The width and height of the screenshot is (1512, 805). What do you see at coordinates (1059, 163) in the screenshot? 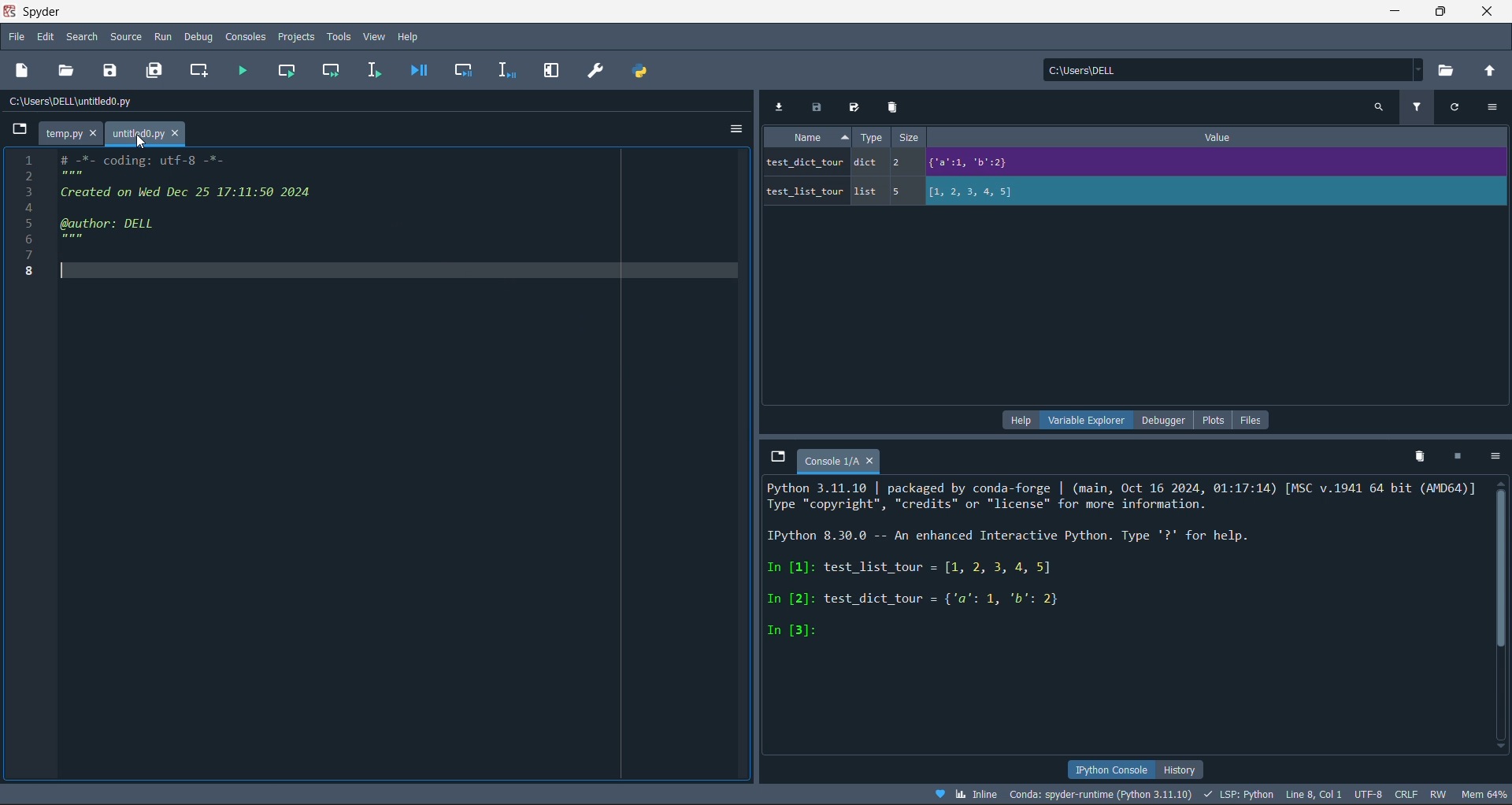
I see `| test_dict tour dict 2 {'a':1, 'b':2}` at bounding box center [1059, 163].